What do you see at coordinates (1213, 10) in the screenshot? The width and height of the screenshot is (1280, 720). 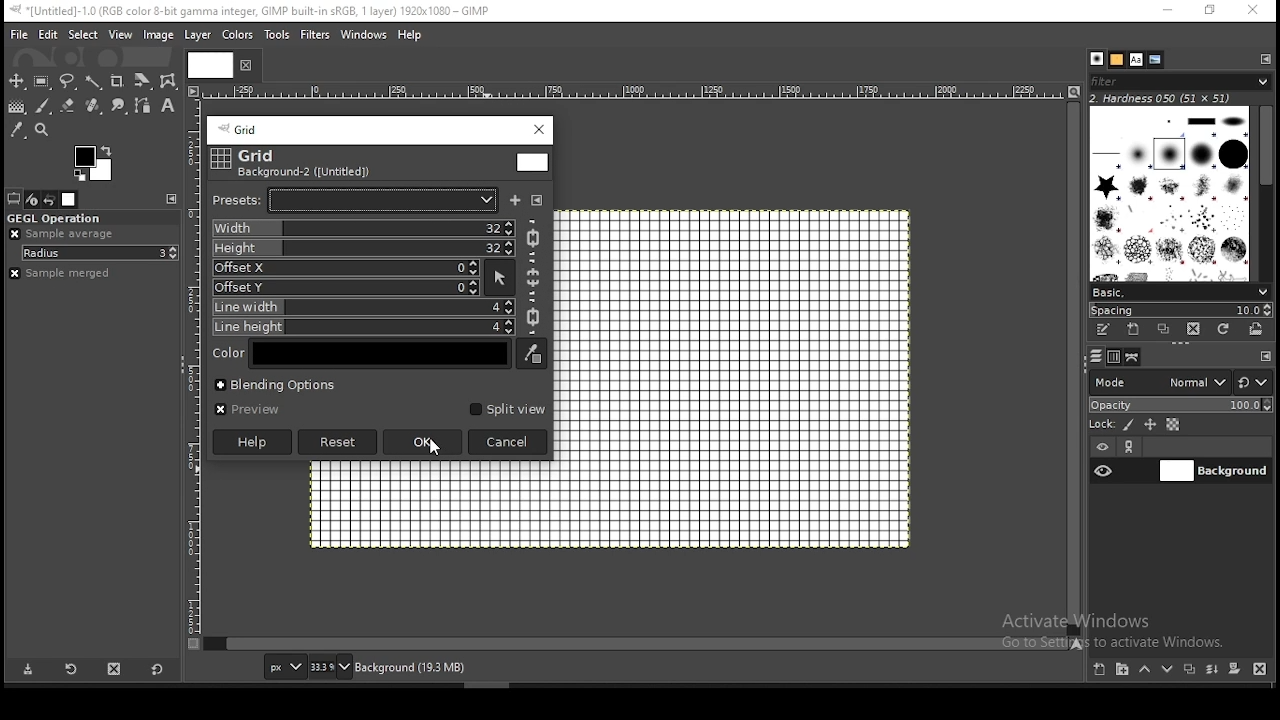 I see `restore` at bounding box center [1213, 10].